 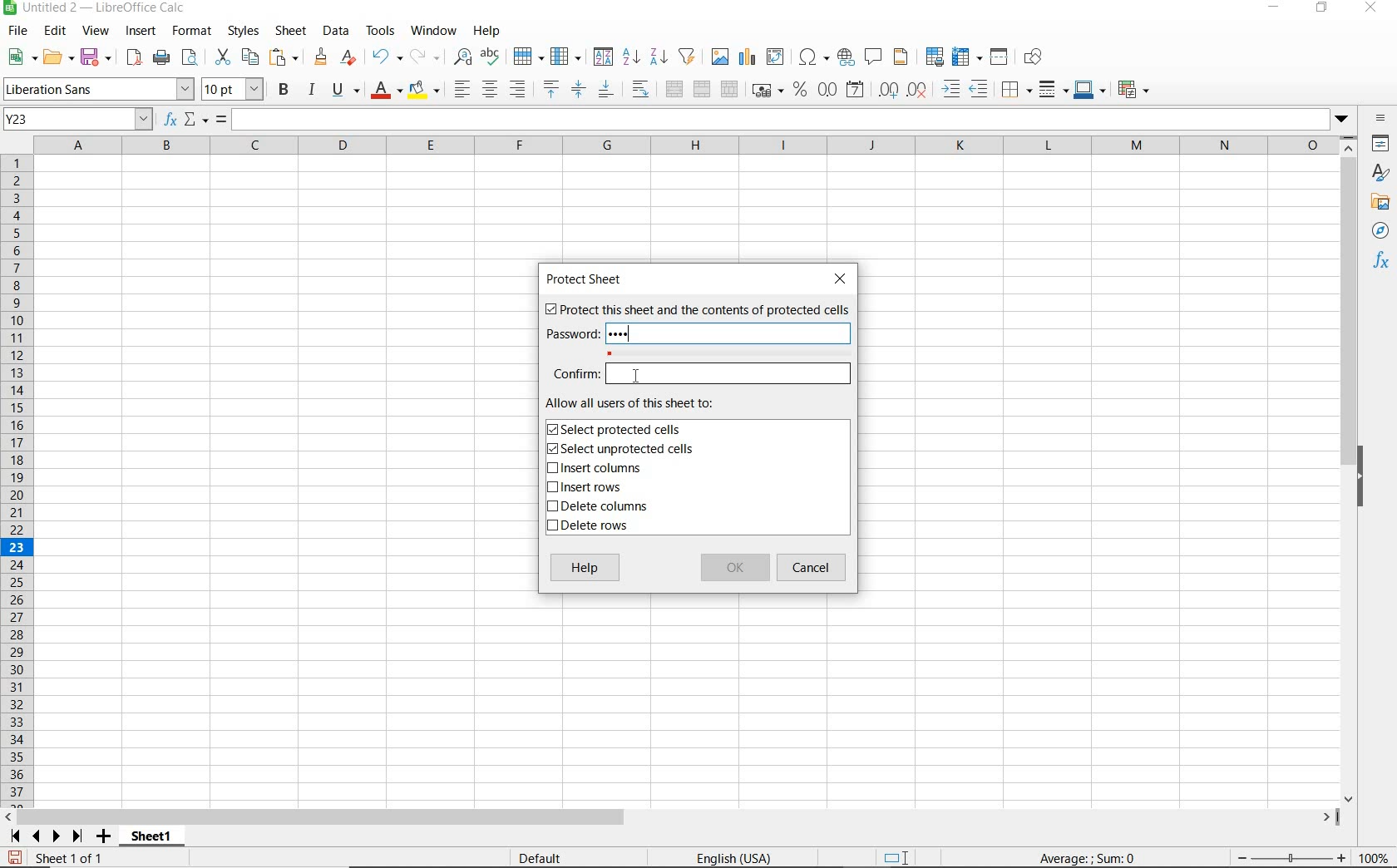 What do you see at coordinates (222, 120) in the screenshot?
I see `FORMULA` at bounding box center [222, 120].